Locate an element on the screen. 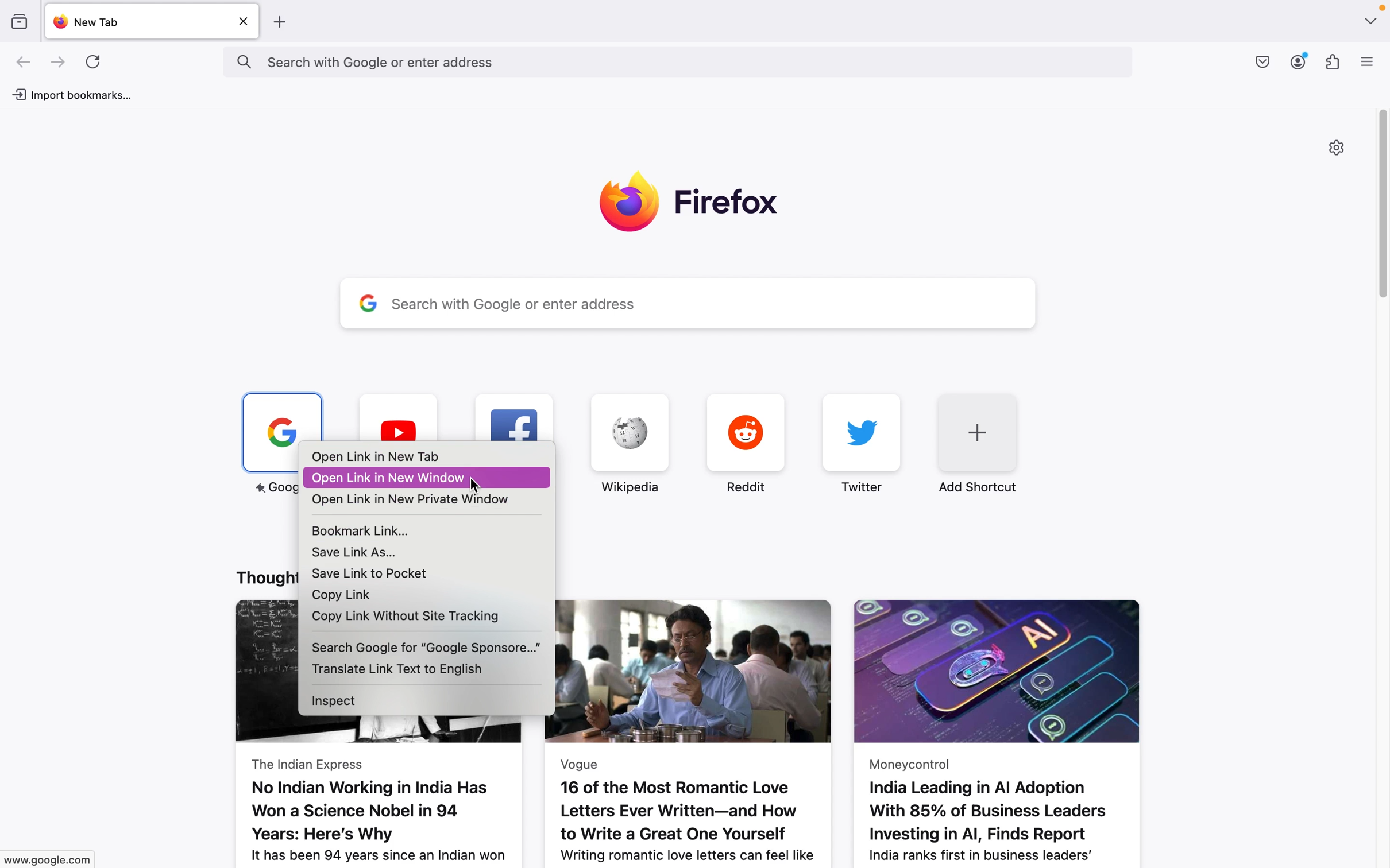  cursor is located at coordinates (481, 484).